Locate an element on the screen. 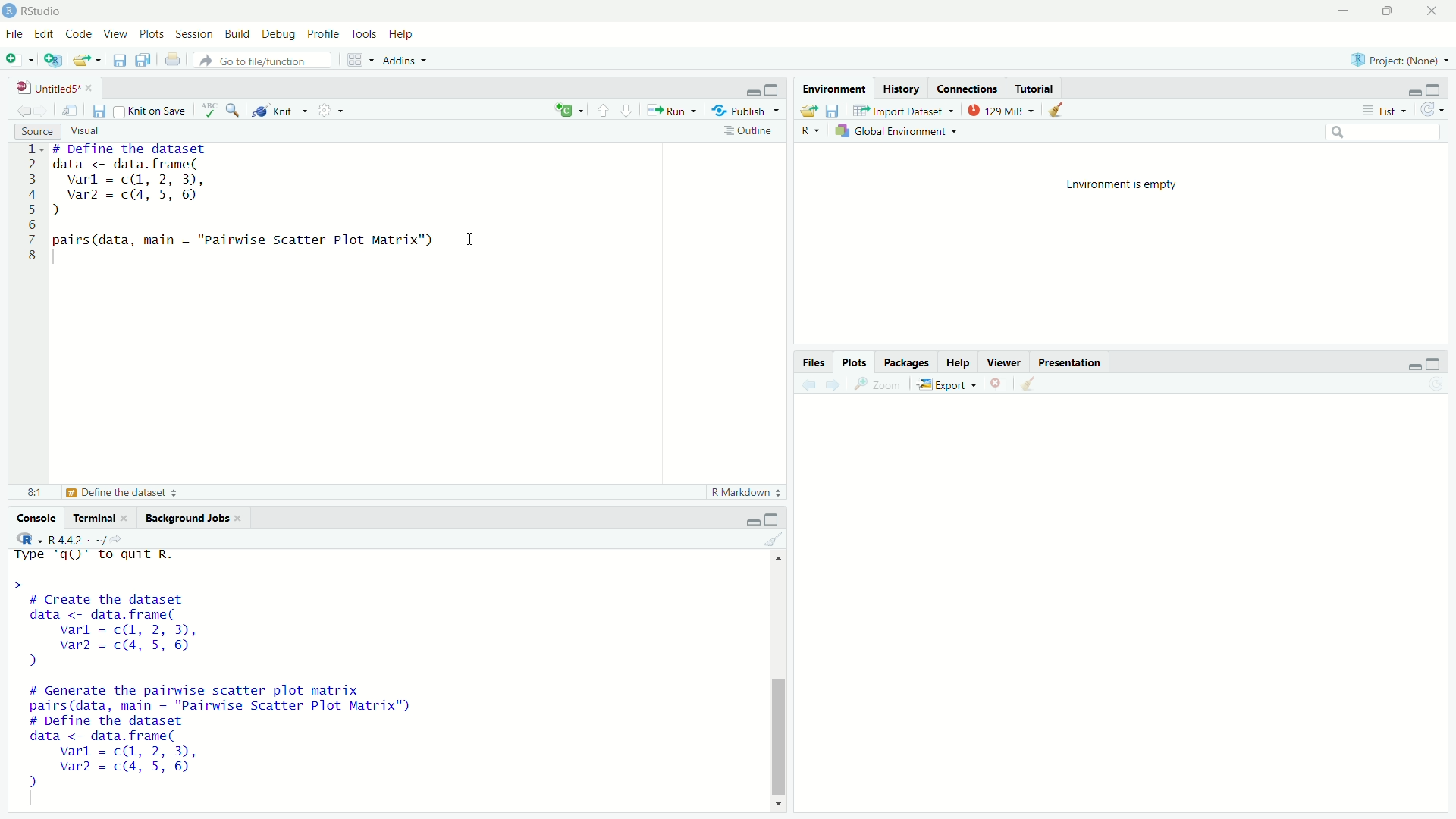 The image size is (1456, 819). Source is located at coordinates (37, 130).